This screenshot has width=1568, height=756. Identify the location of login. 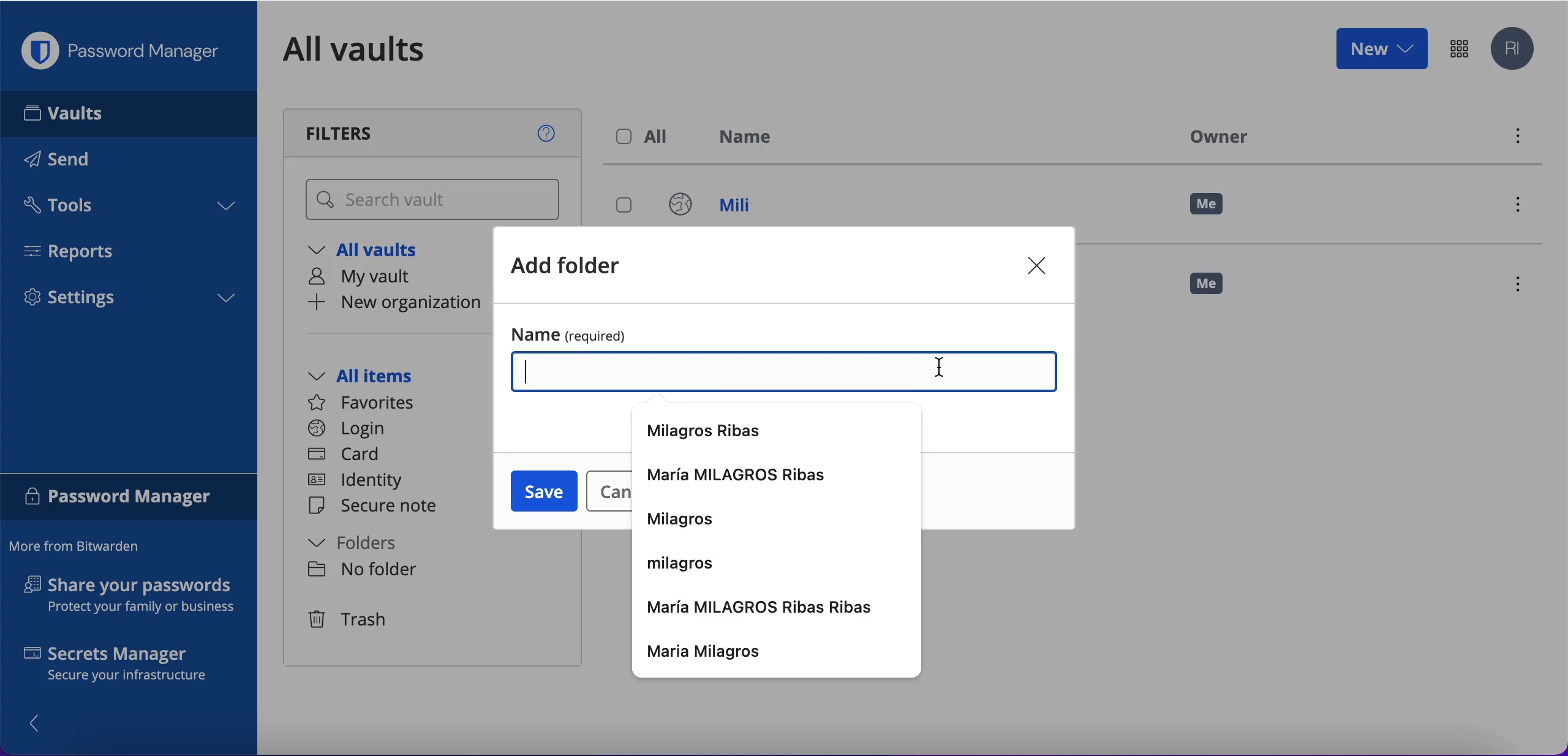
(347, 429).